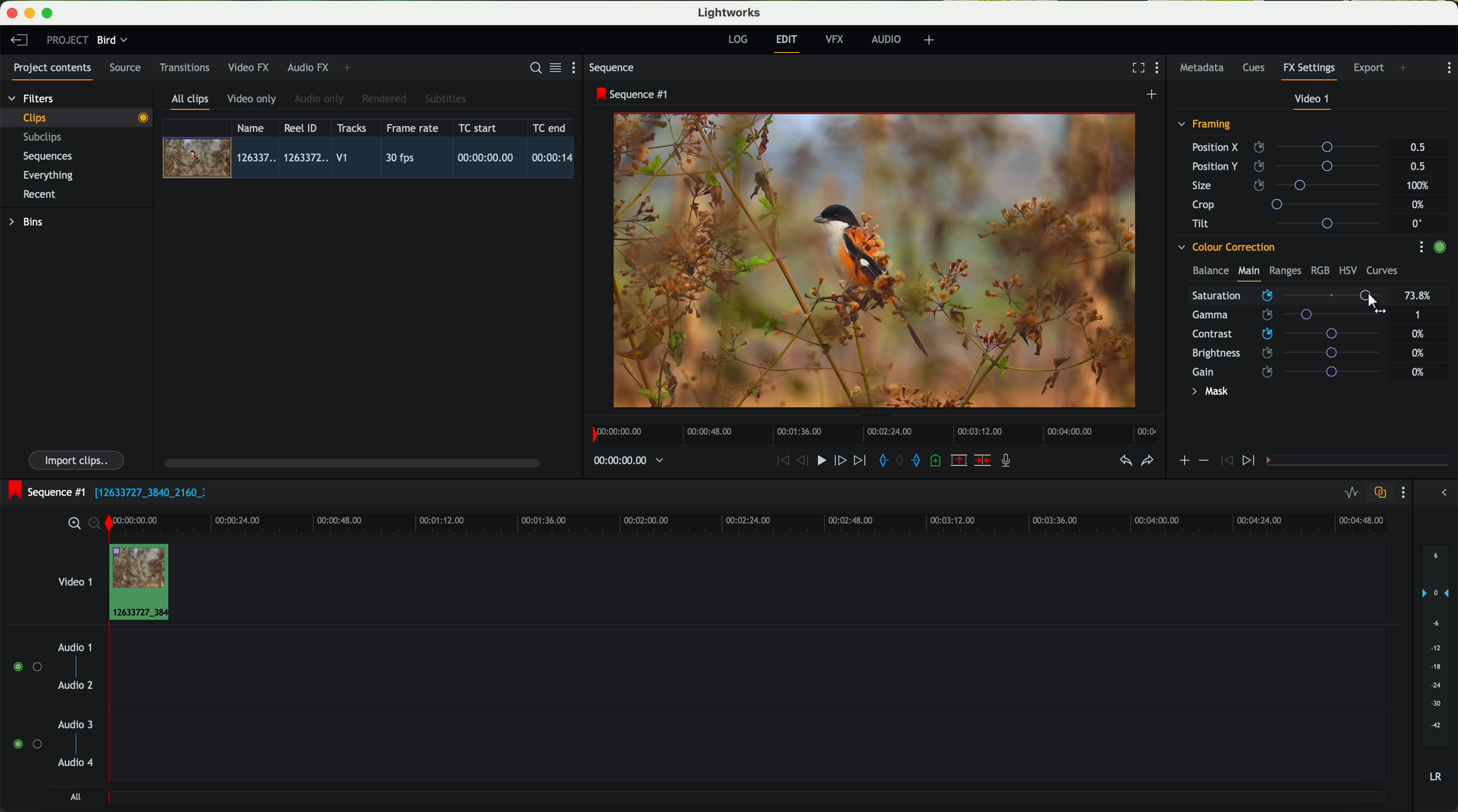 Image resolution: width=1458 pixels, height=812 pixels. What do you see at coordinates (251, 100) in the screenshot?
I see `video only` at bounding box center [251, 100].